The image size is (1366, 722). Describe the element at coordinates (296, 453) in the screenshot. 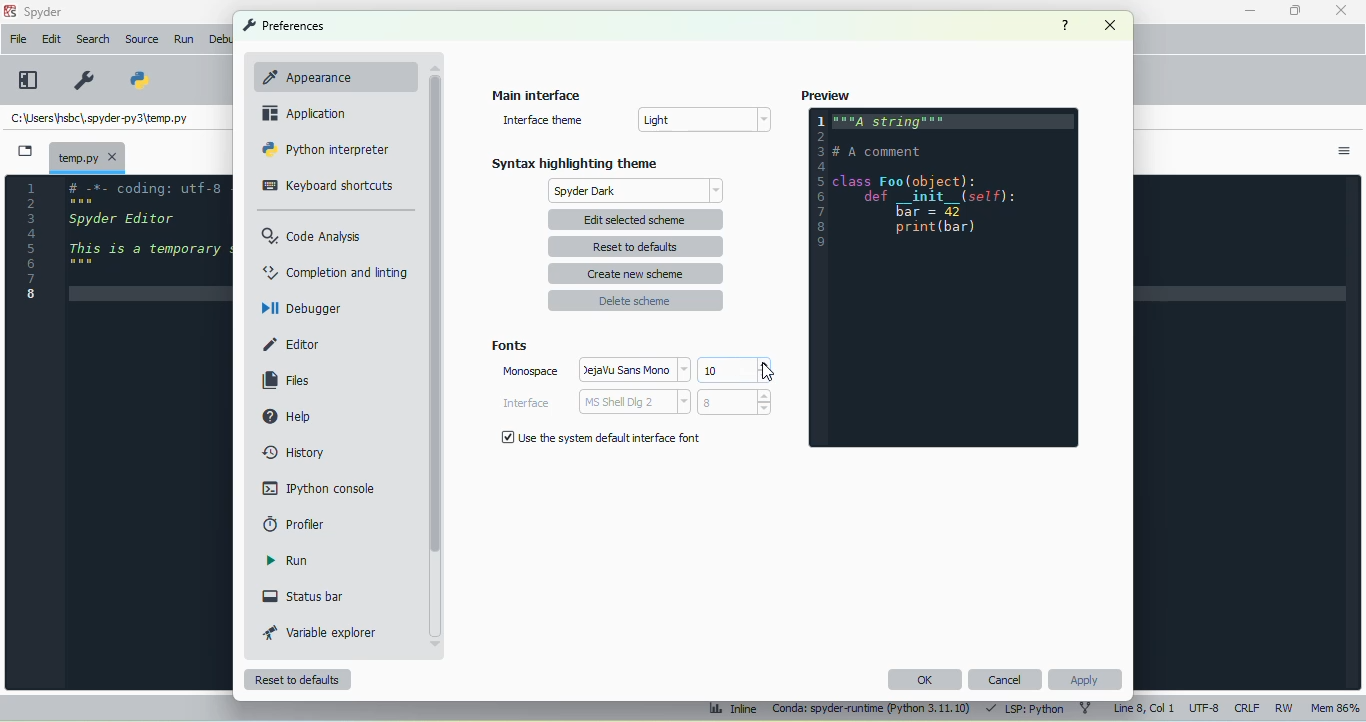

I see `history` at that location.